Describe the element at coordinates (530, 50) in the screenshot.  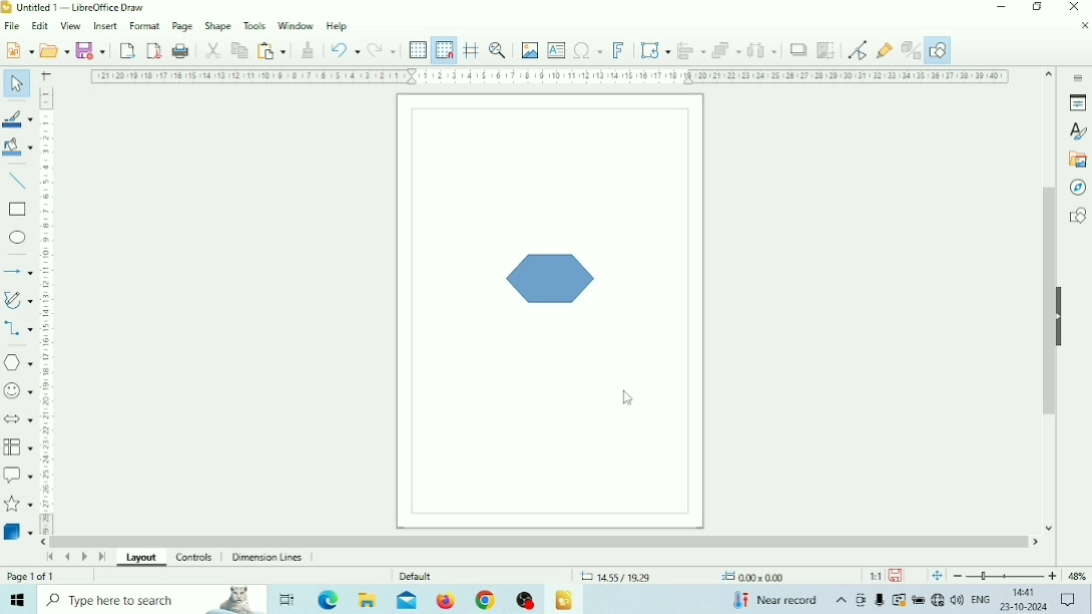
I see `Insert Image` at that location.